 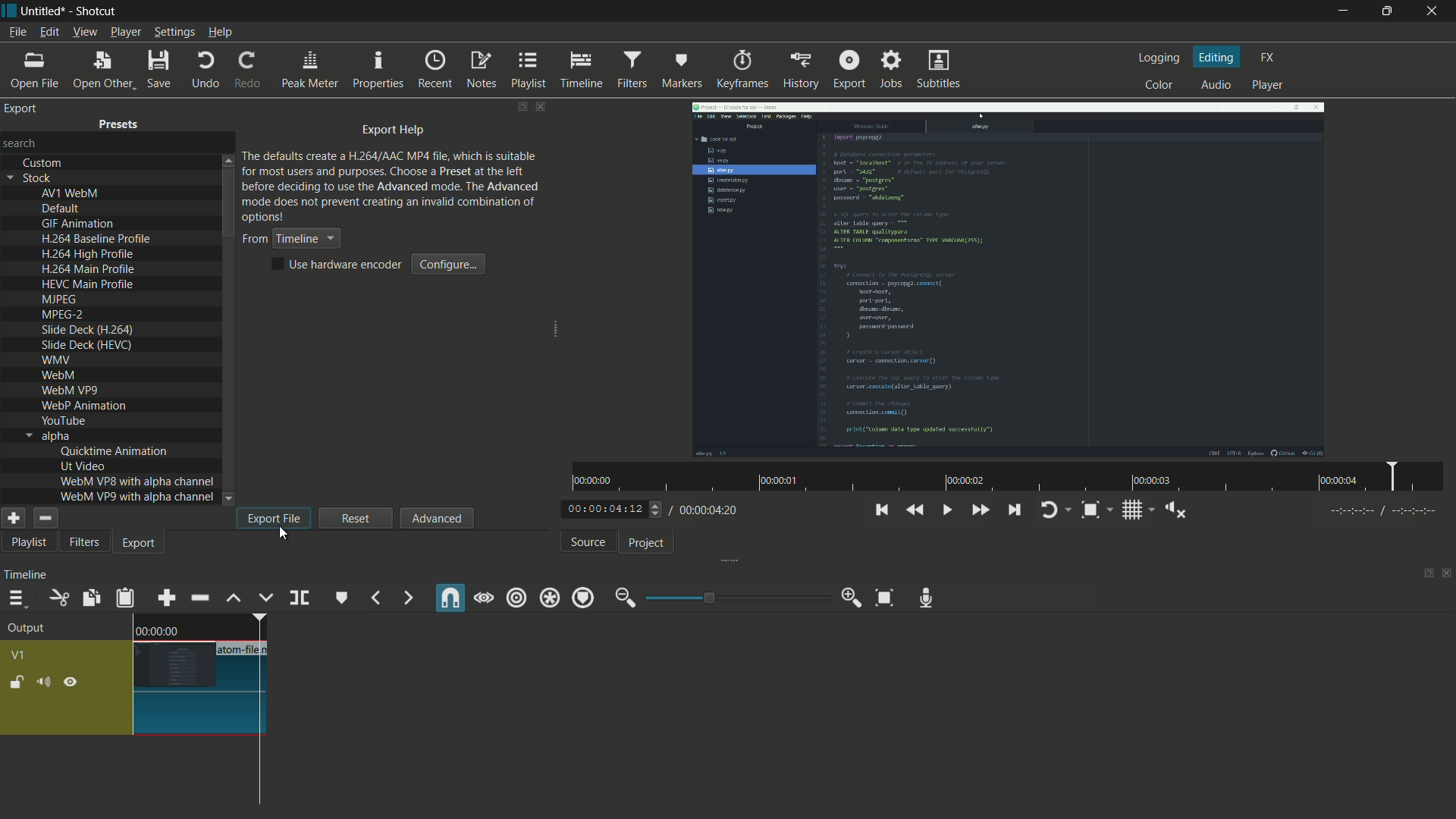 I want to click on settings menu, so click(x=174, y=32).